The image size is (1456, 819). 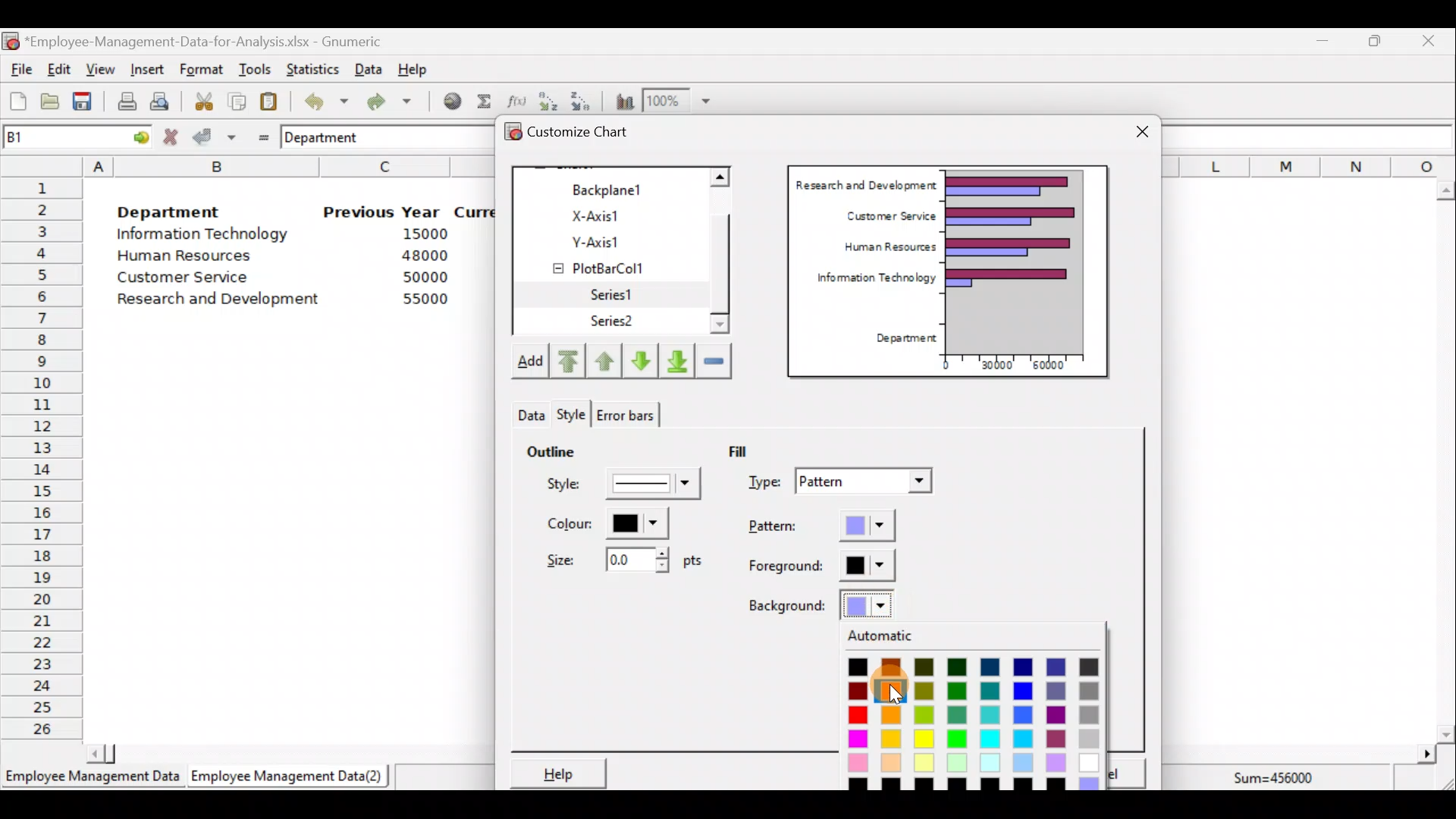 What do you see at coordinates (224, 301) in the screenshot?
I see `Research and Development` at bounding box center [224, 301].